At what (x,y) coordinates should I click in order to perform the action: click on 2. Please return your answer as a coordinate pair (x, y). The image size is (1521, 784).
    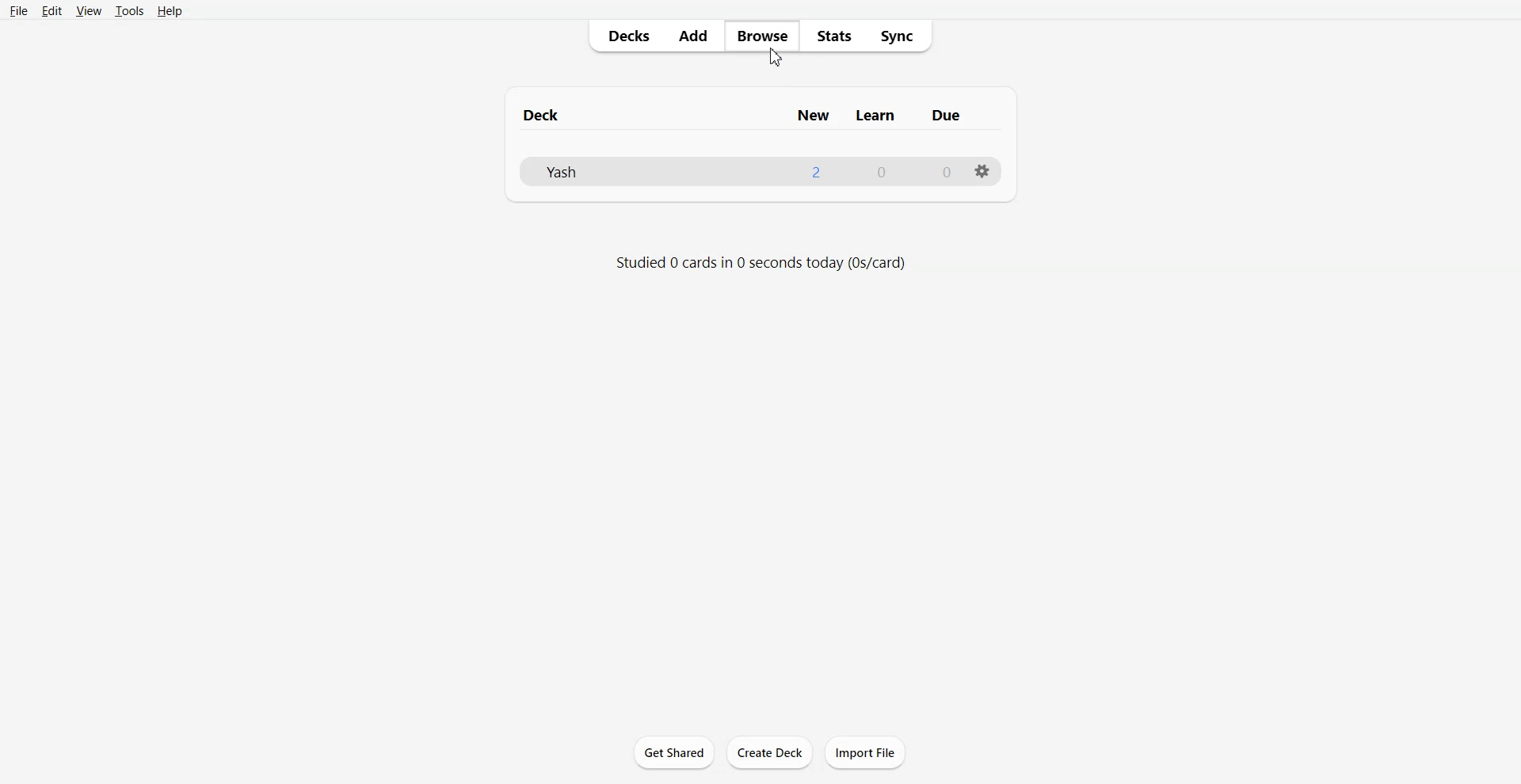
    Looking at the image, I should click on (815, 169).